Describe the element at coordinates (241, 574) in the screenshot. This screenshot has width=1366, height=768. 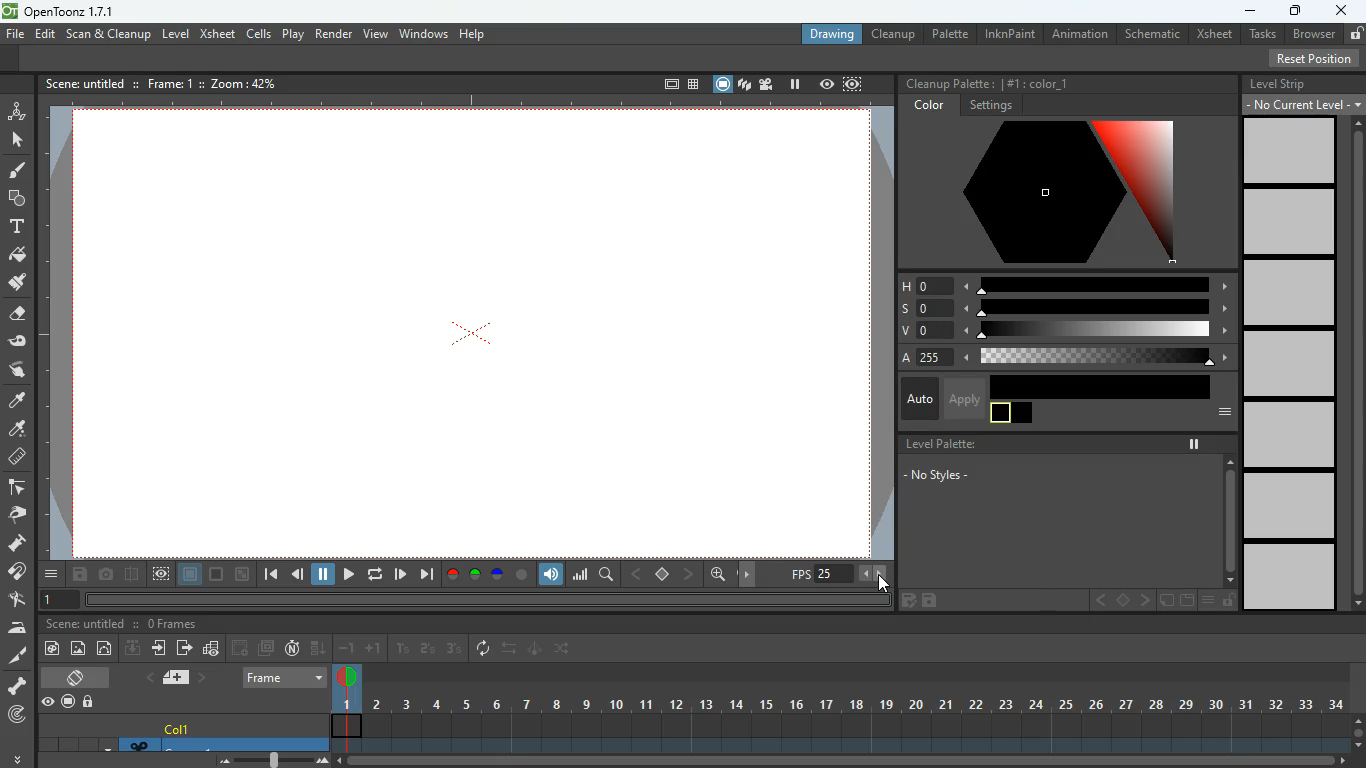
I see `zoom` at that location.